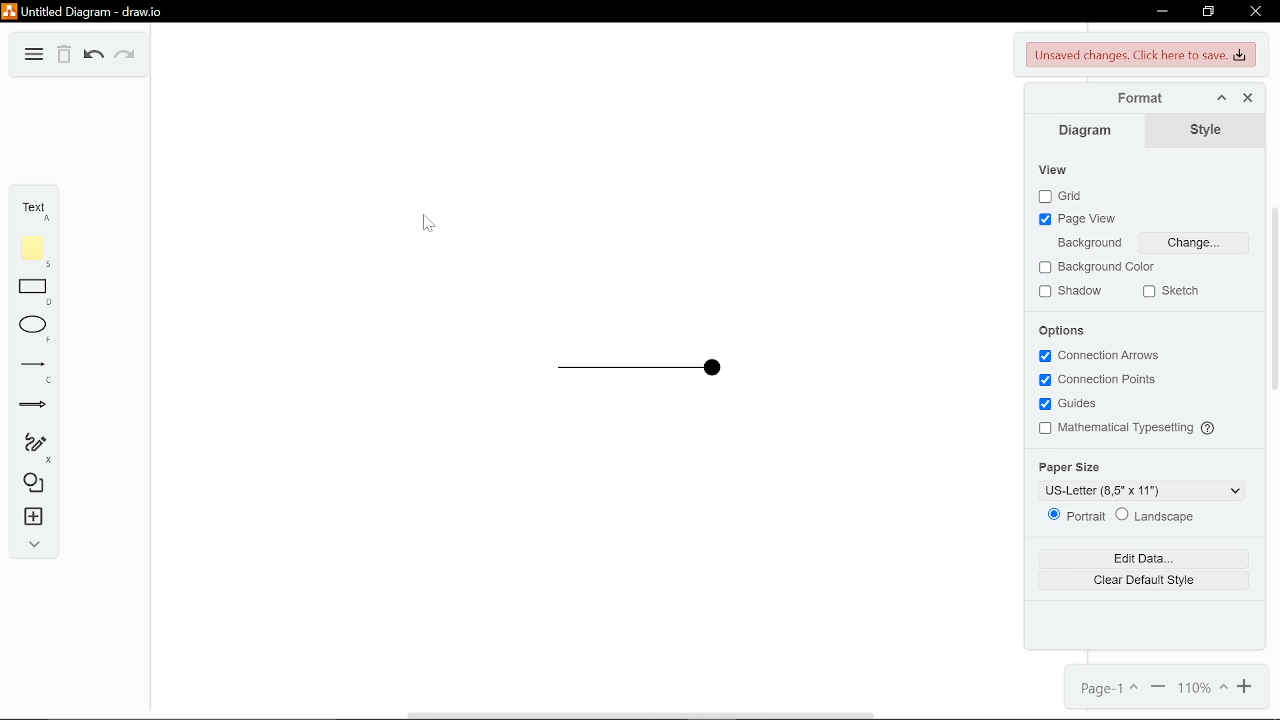  Describe the element at coordinates (1086, 243) in the screenshot. I see `Background` at that location.